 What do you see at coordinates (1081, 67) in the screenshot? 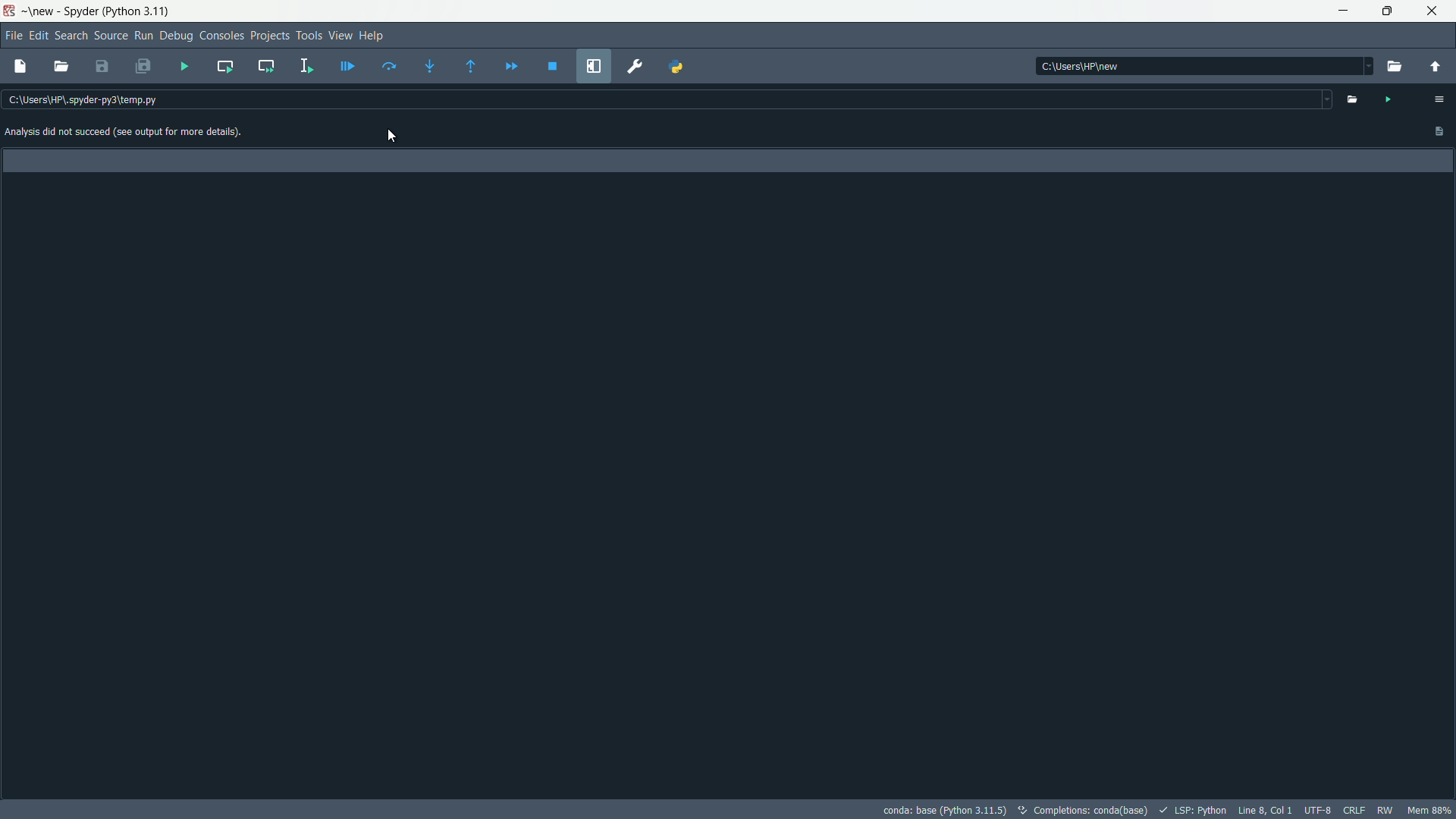
I see `c:\users\hp\new` at bounding box center [1081, 67].